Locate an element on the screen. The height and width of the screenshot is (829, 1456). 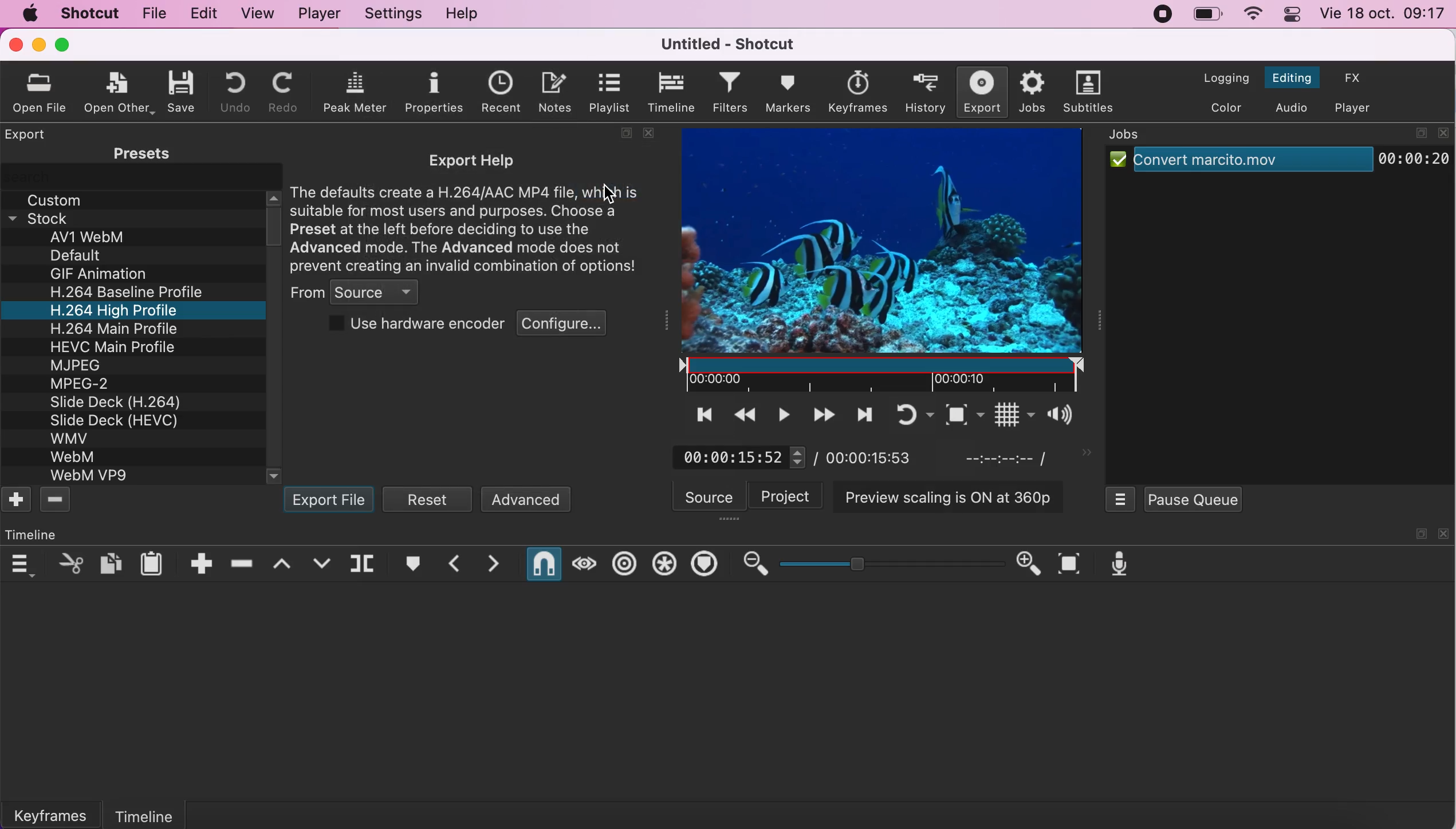
lift is located at coordinates (283, 564).